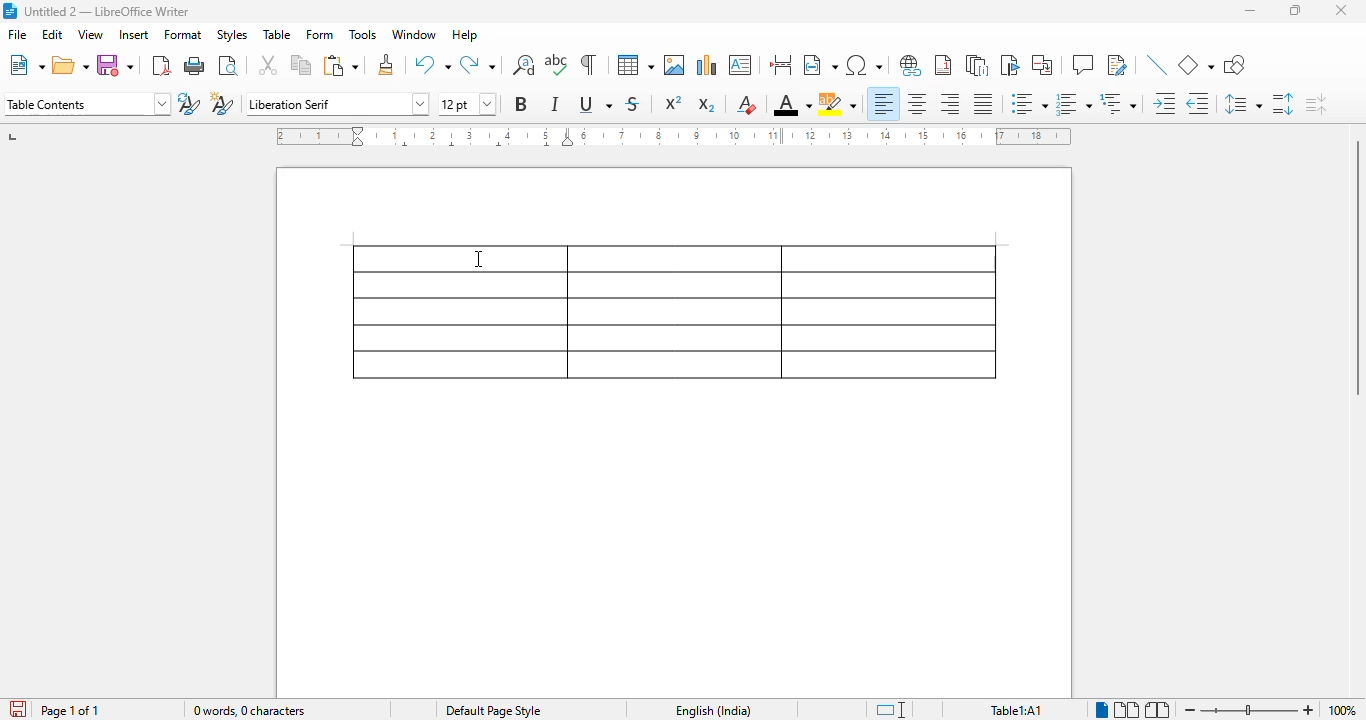 This screenshot has height=720, width=1366. I want to click on insert endnote, so click(978, 65).